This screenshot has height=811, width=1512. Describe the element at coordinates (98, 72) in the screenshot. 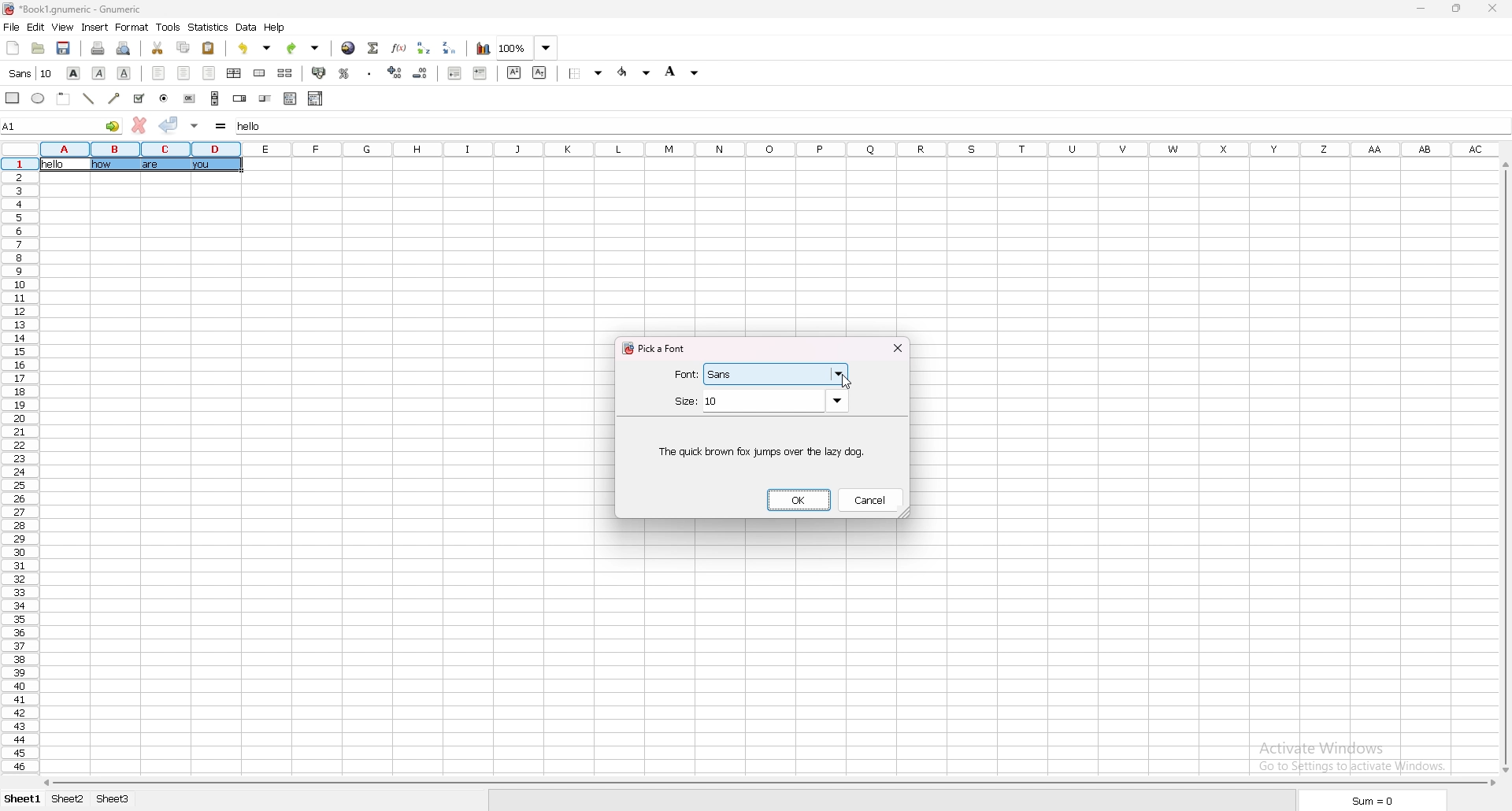

I see `italic` at that location.